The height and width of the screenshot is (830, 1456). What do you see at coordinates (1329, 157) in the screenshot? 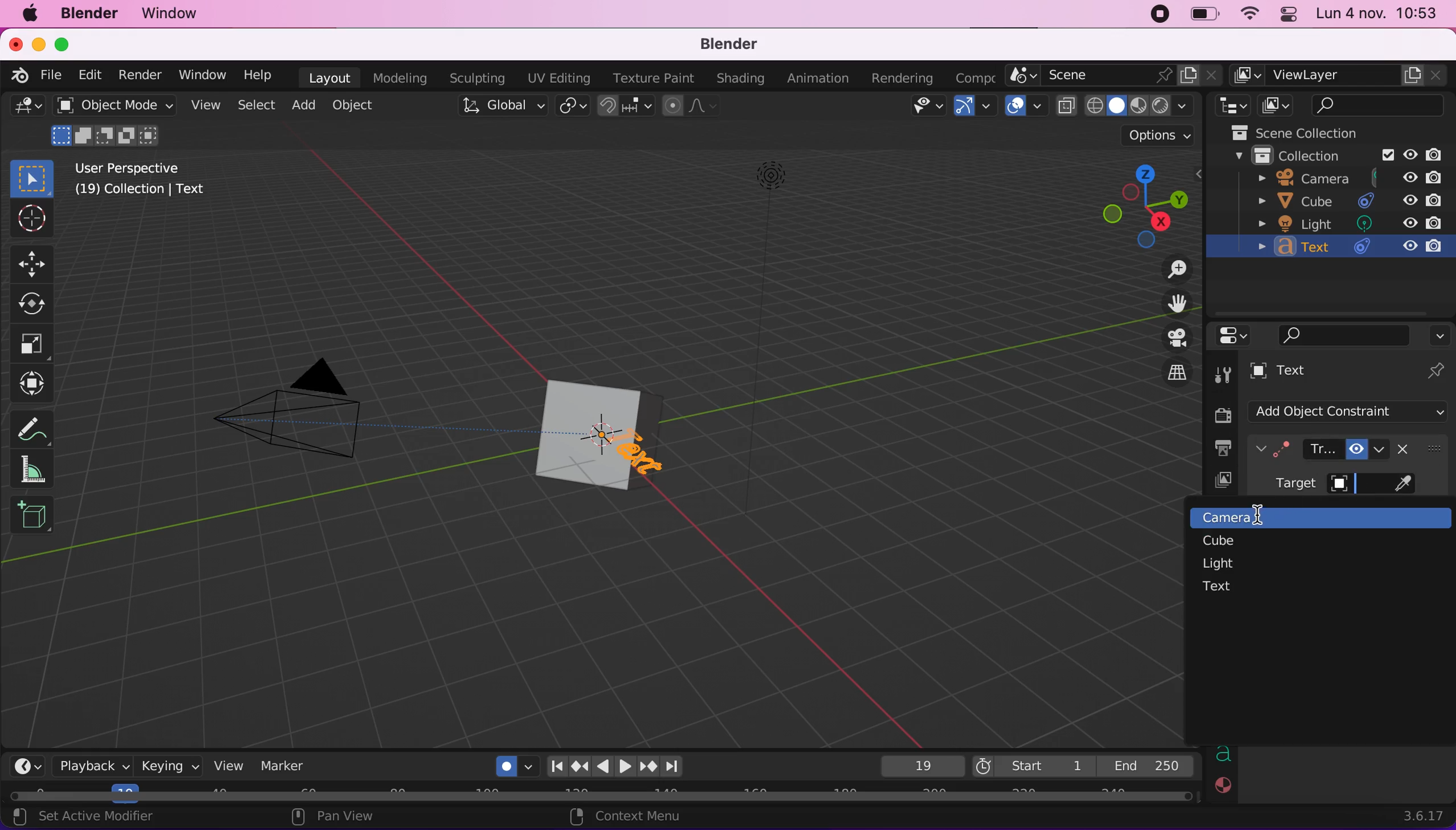
I see `collection` at bounding box center [1329, 157].